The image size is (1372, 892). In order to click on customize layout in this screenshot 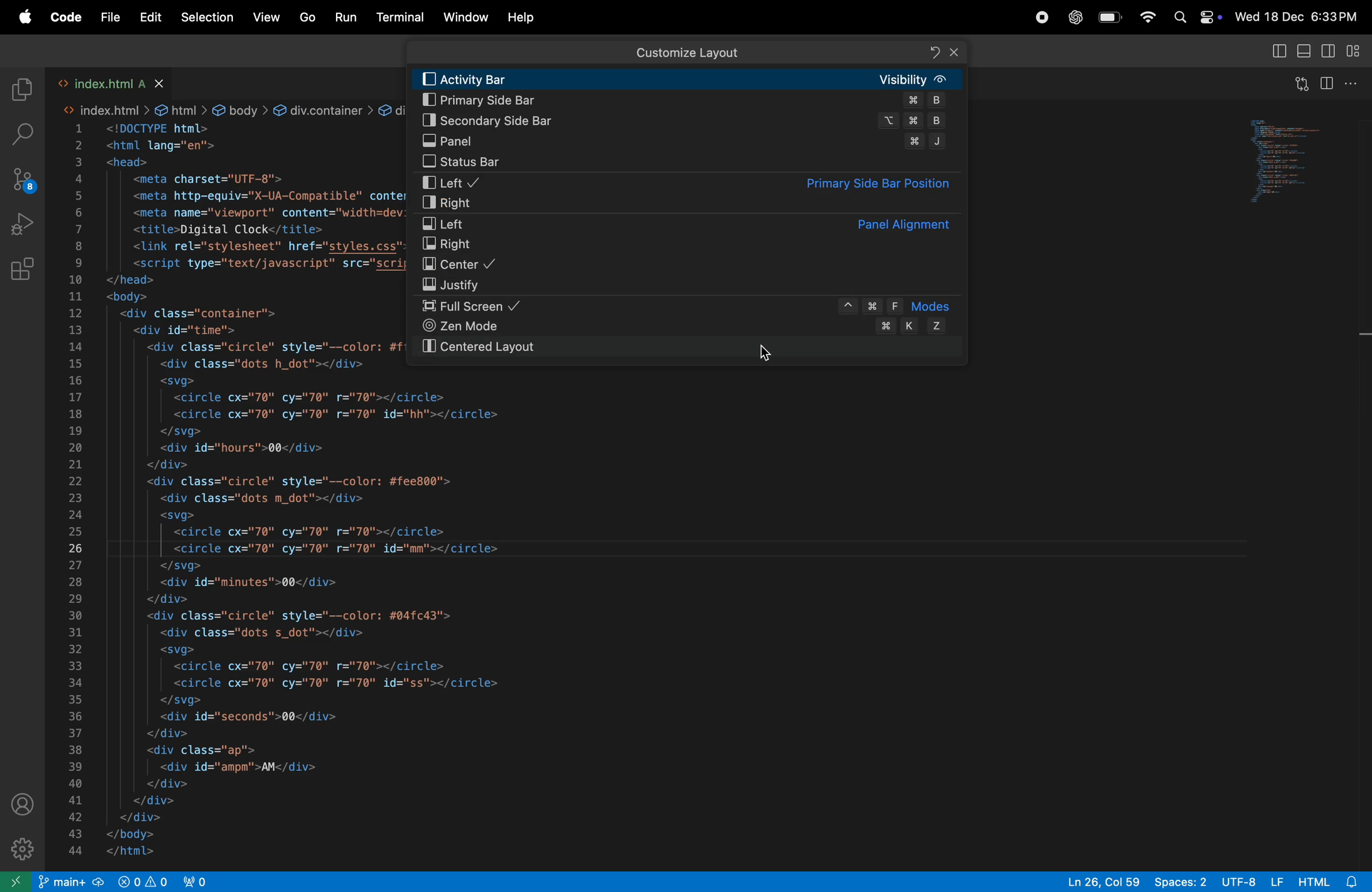, I will do `click(1358, 50)`.